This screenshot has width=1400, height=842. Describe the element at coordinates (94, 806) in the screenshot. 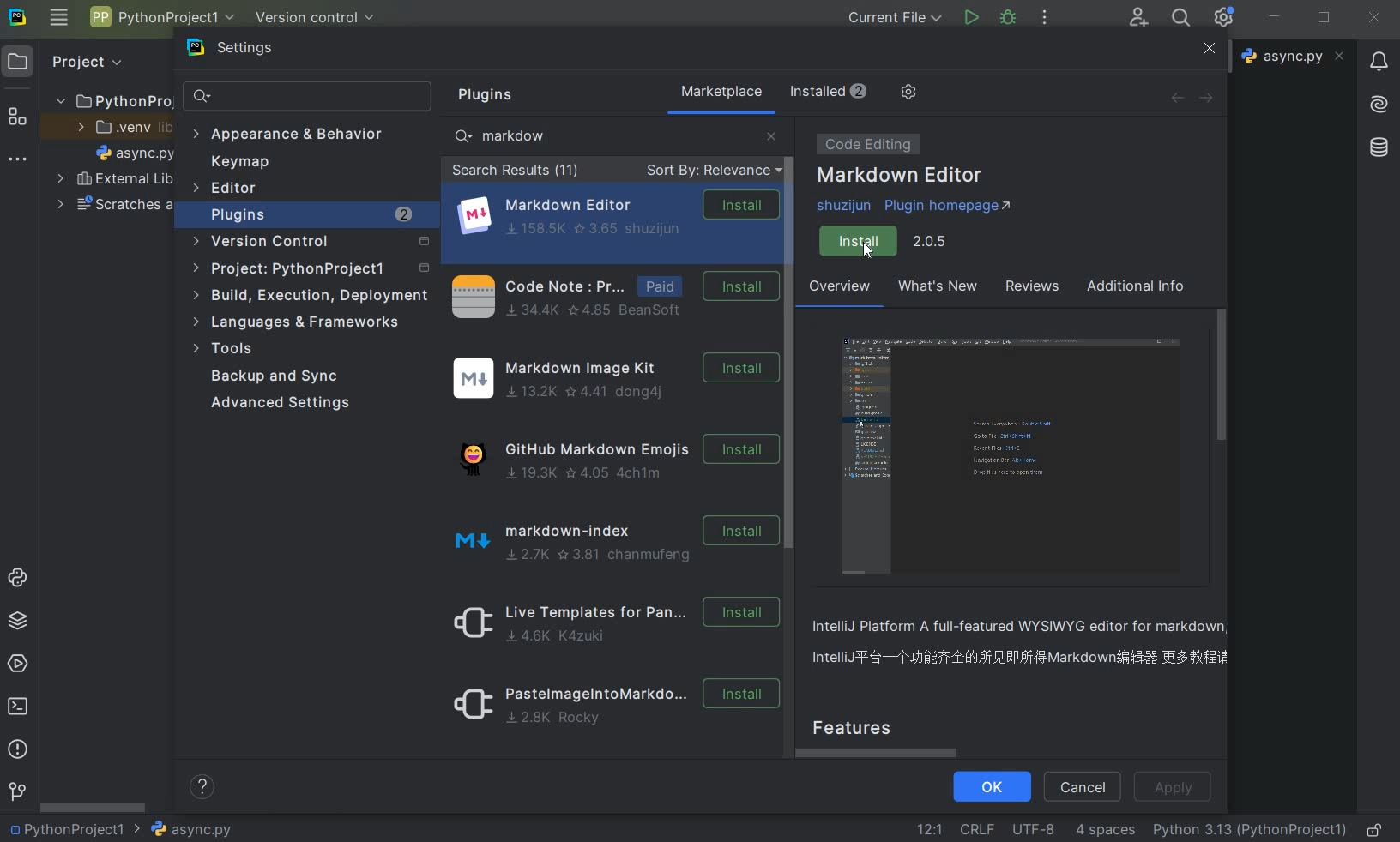

I see `scrollbar` at that location.